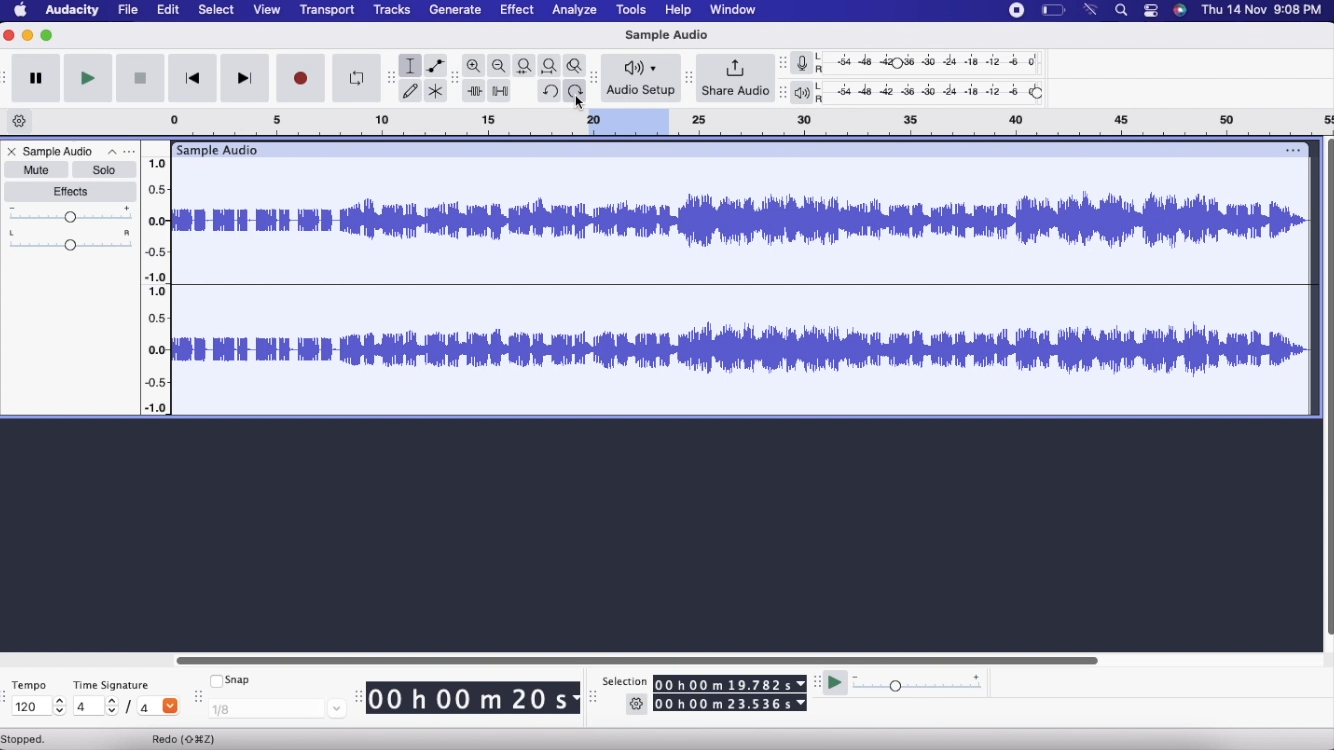 Image resolution: width=1334 pixels, height=750 pixels. Describe the element at coordinates (808, 64) in the screenshot. I see `Record meter` at that location.